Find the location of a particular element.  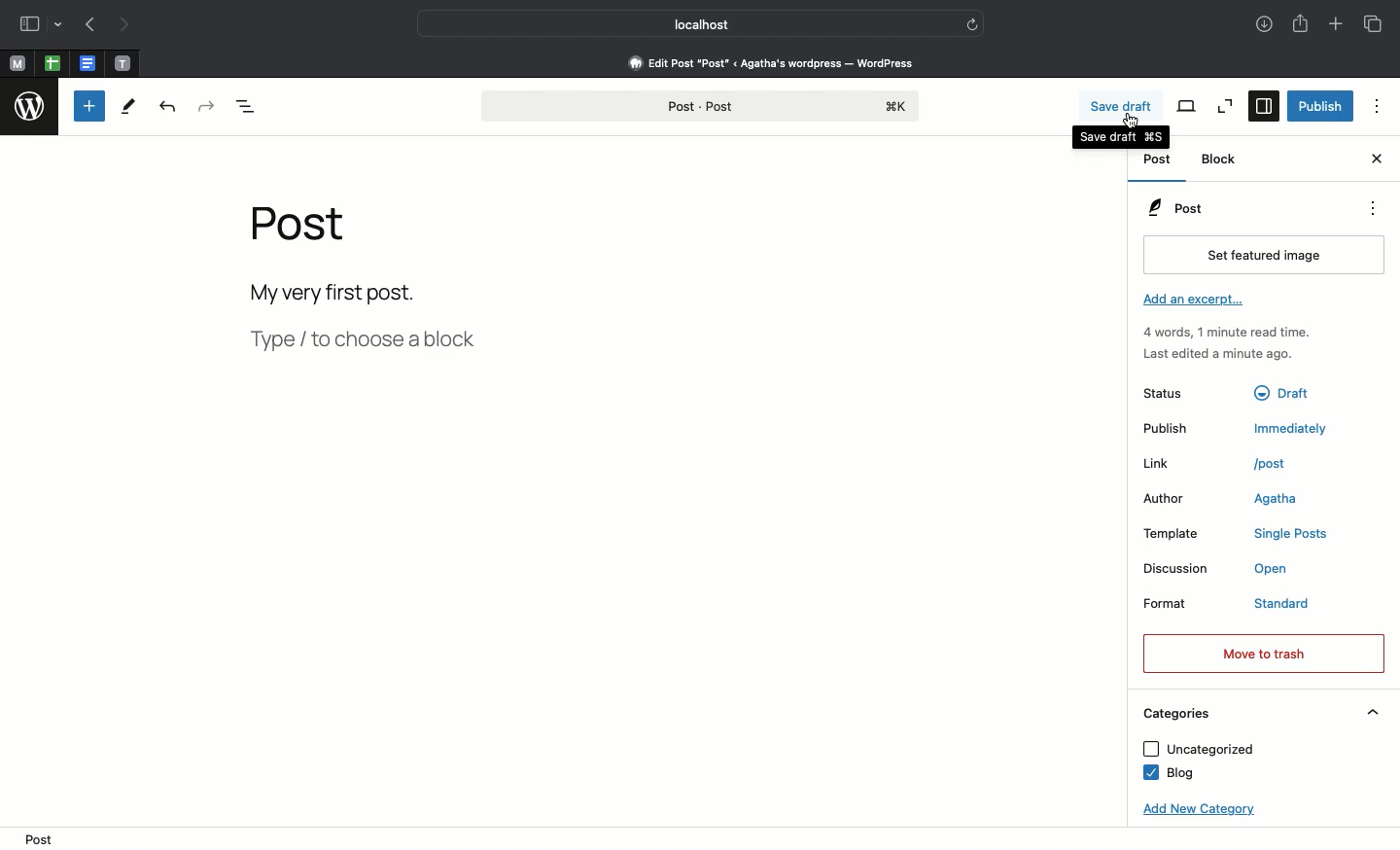

Post is located at coordinates (40, 839).